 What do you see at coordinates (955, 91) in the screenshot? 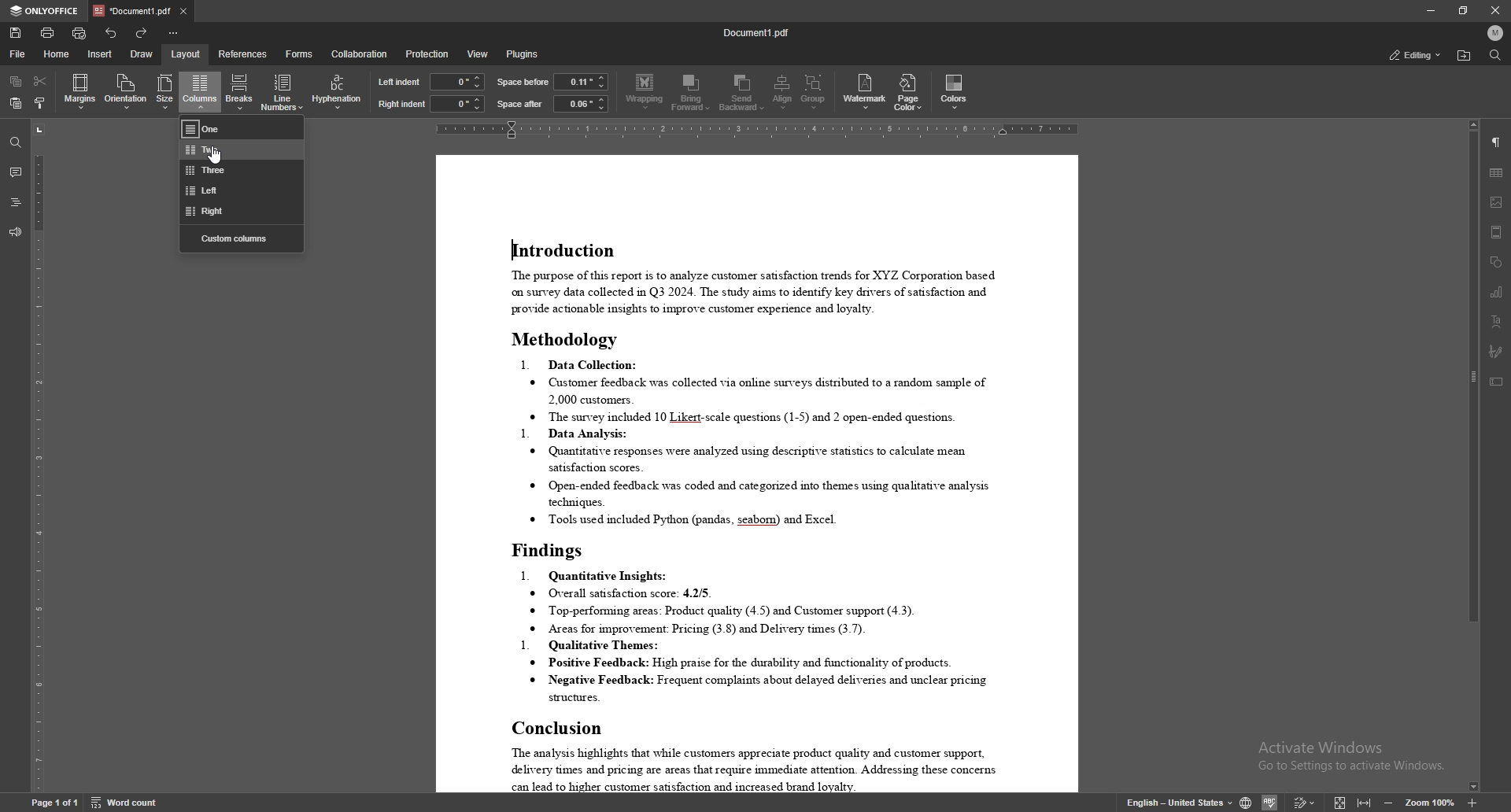
I see `colors` at bounding box center [955, 91].